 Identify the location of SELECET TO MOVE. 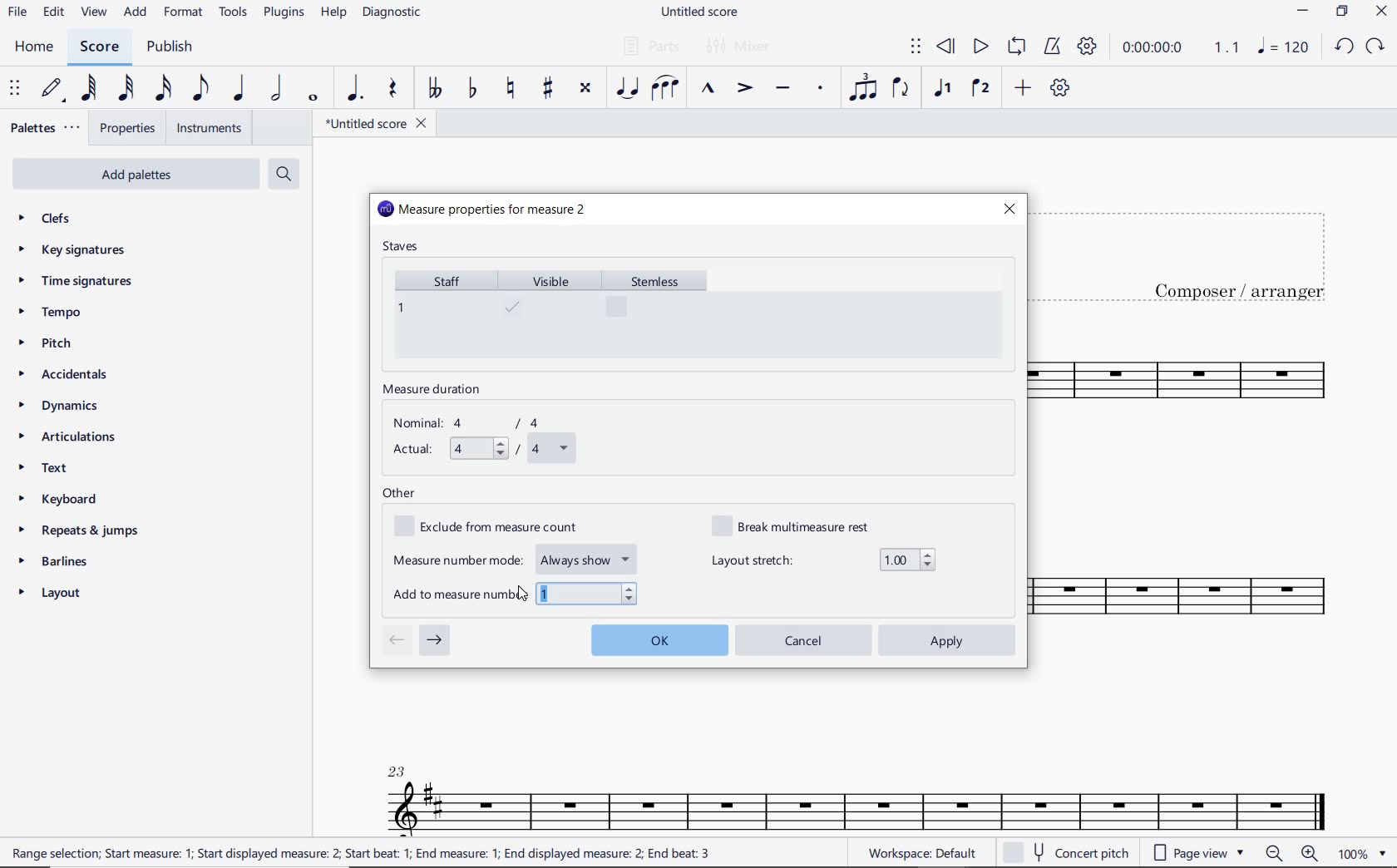
(15, 90).